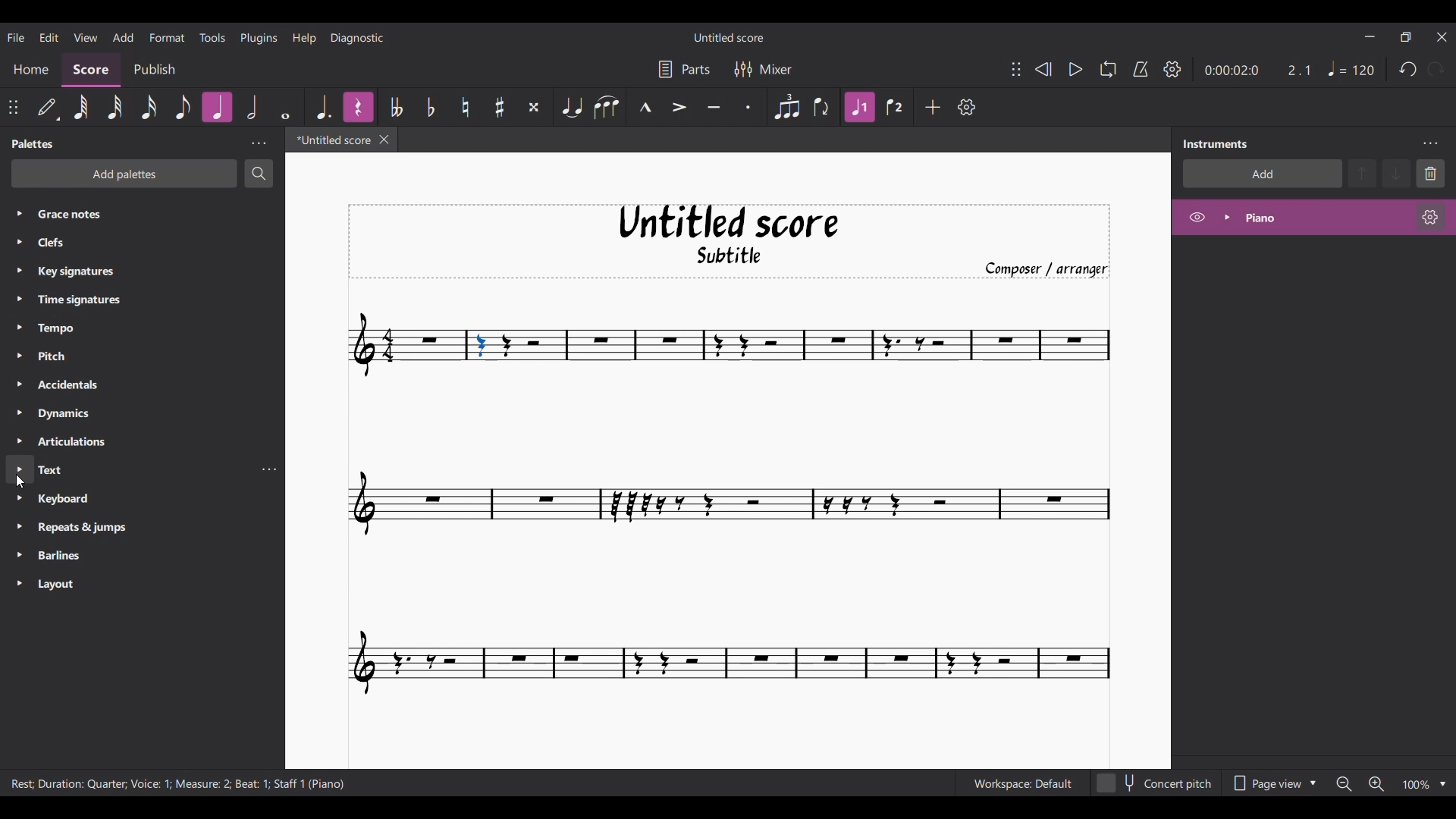  I want to click on Augmentation dot, so click(324, 108).